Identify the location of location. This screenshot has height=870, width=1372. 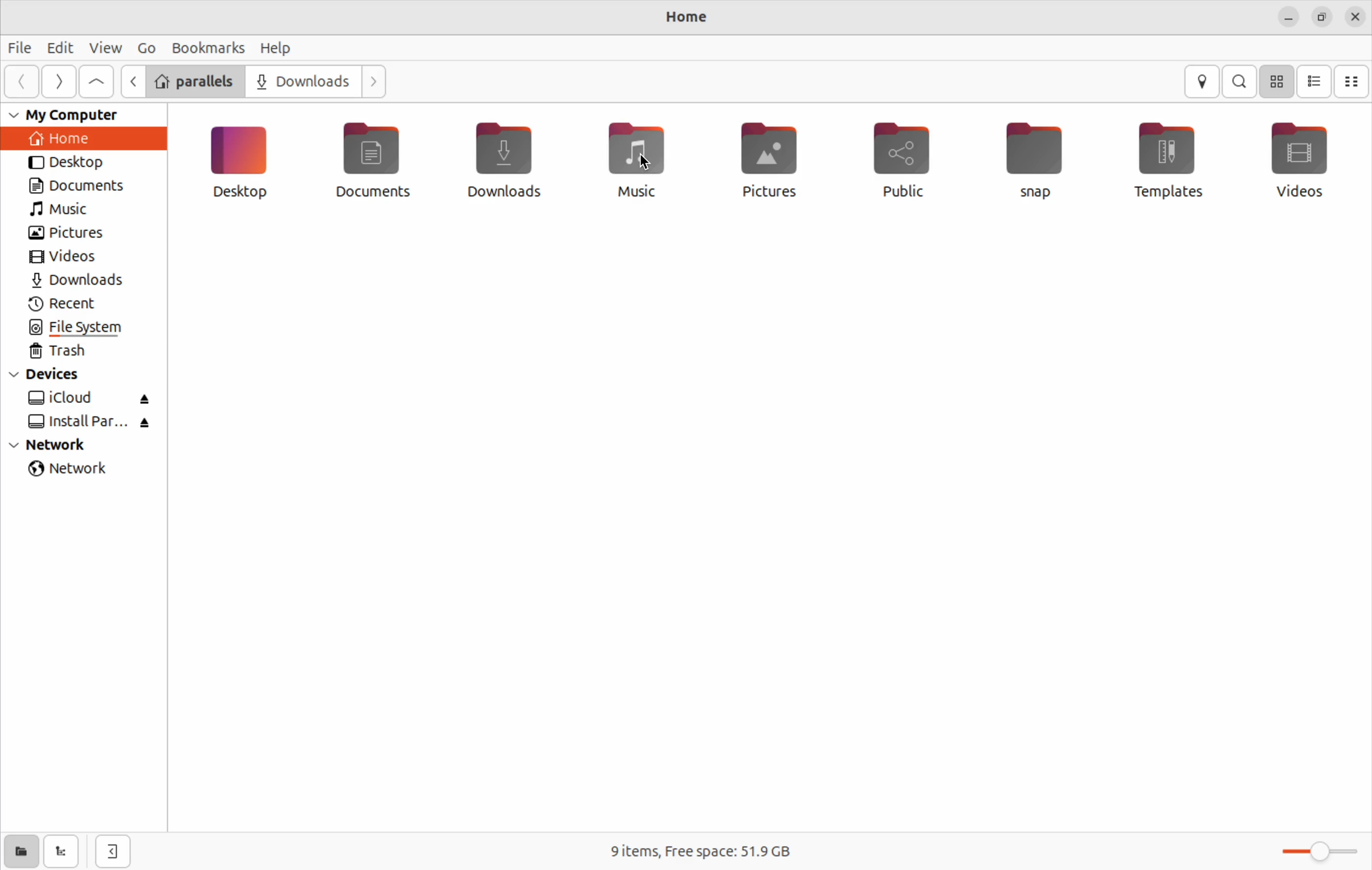
(1199, 81).